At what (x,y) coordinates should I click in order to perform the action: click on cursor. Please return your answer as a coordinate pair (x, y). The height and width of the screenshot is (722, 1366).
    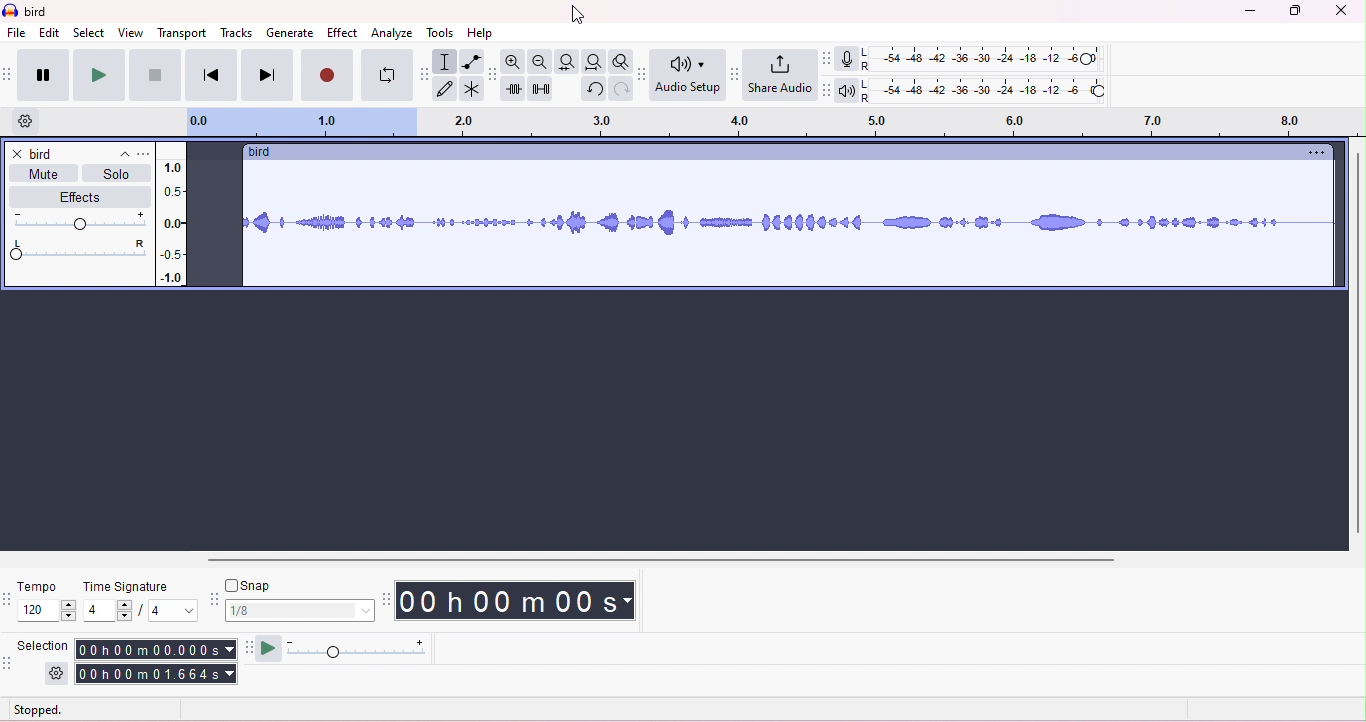
    Looking at the image, I should click on (581, 17).